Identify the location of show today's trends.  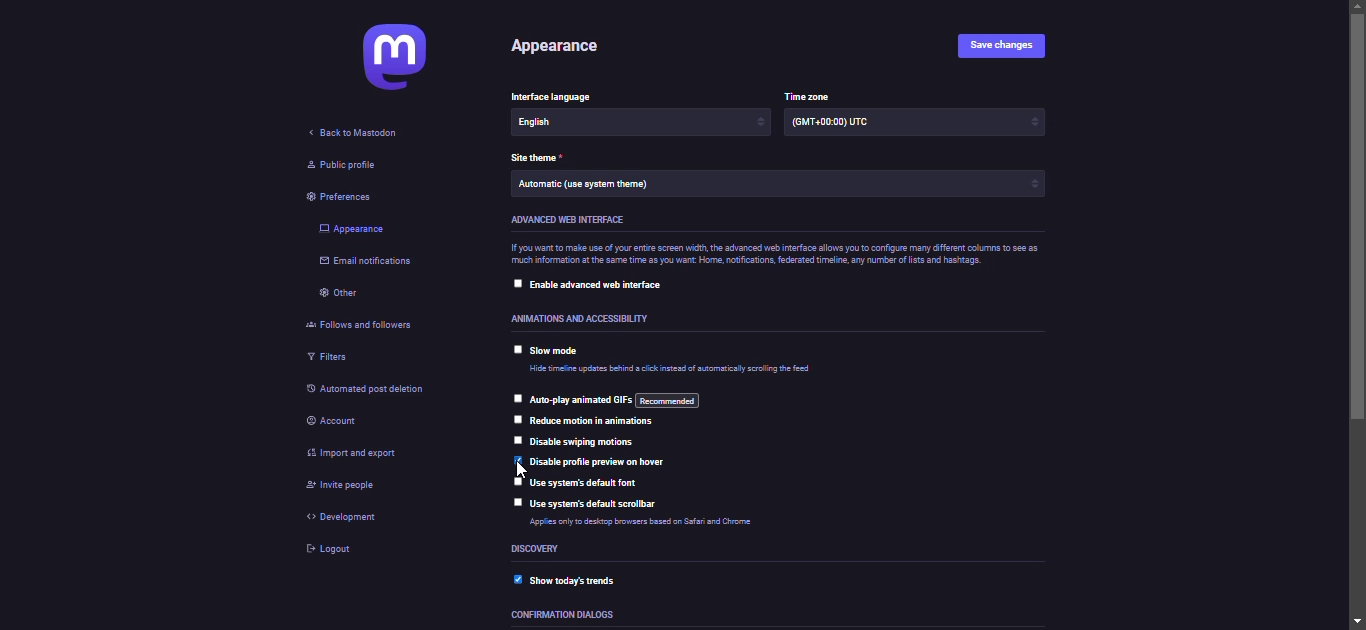
(584, 579).